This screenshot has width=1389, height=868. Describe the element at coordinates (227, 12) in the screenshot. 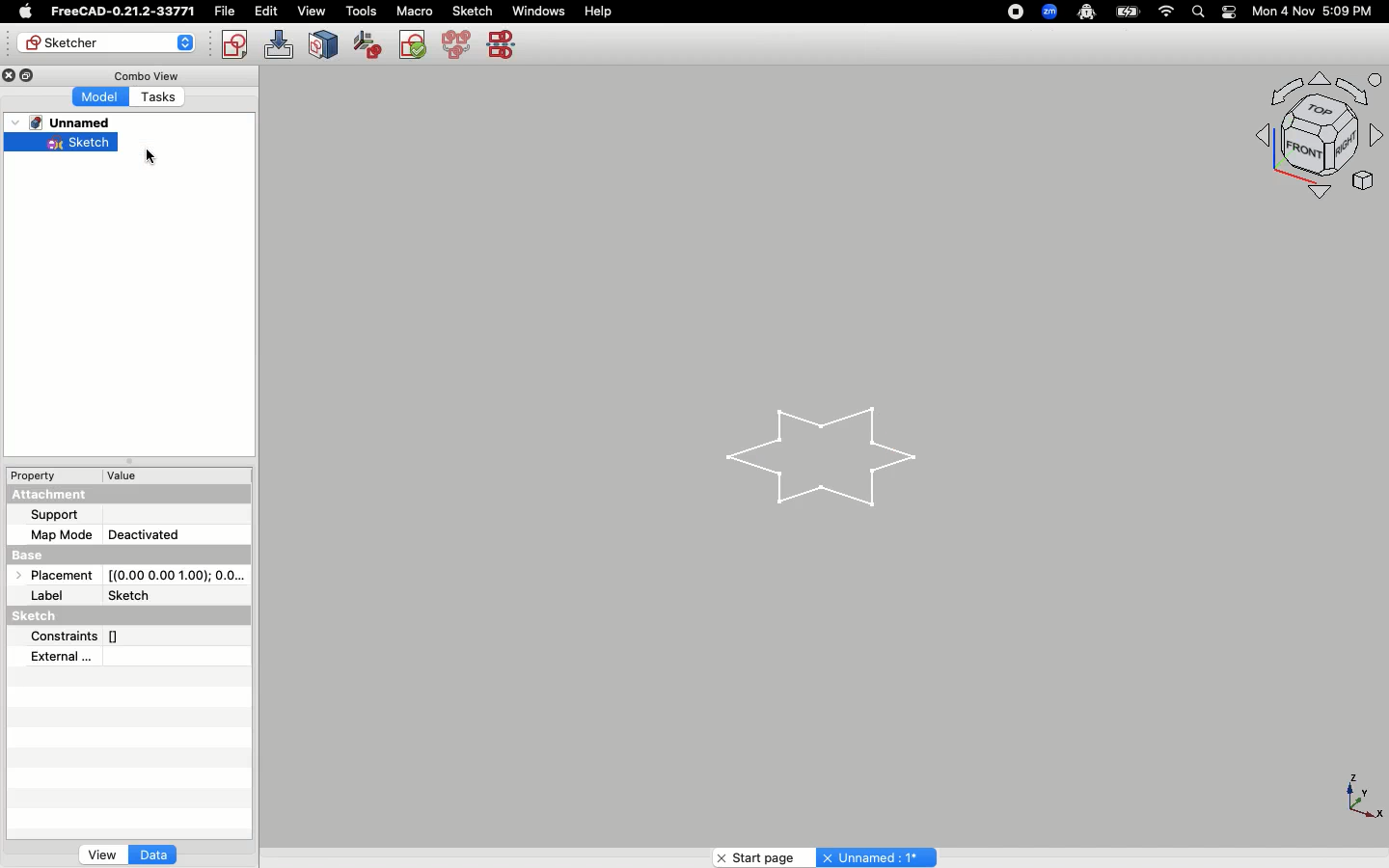

I see `File` at that location.